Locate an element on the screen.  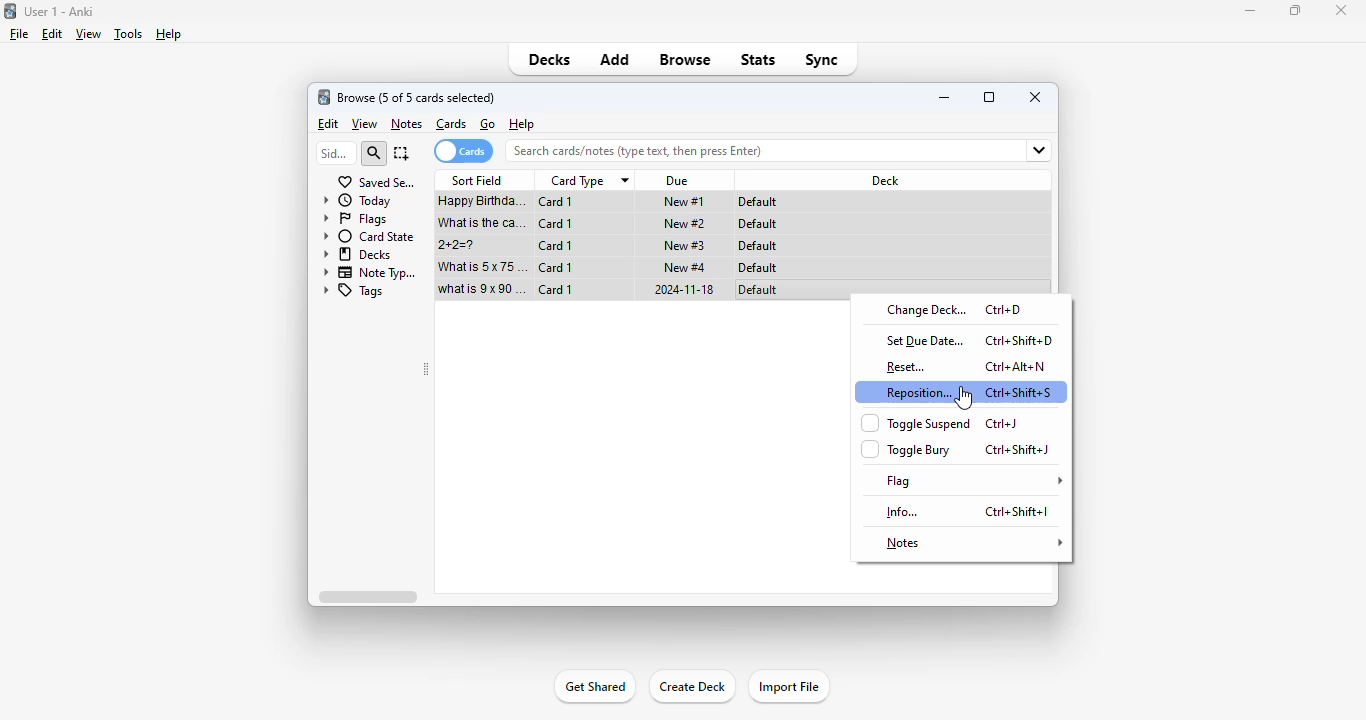
shortcut for reset is located at coordinates (1016, 366).